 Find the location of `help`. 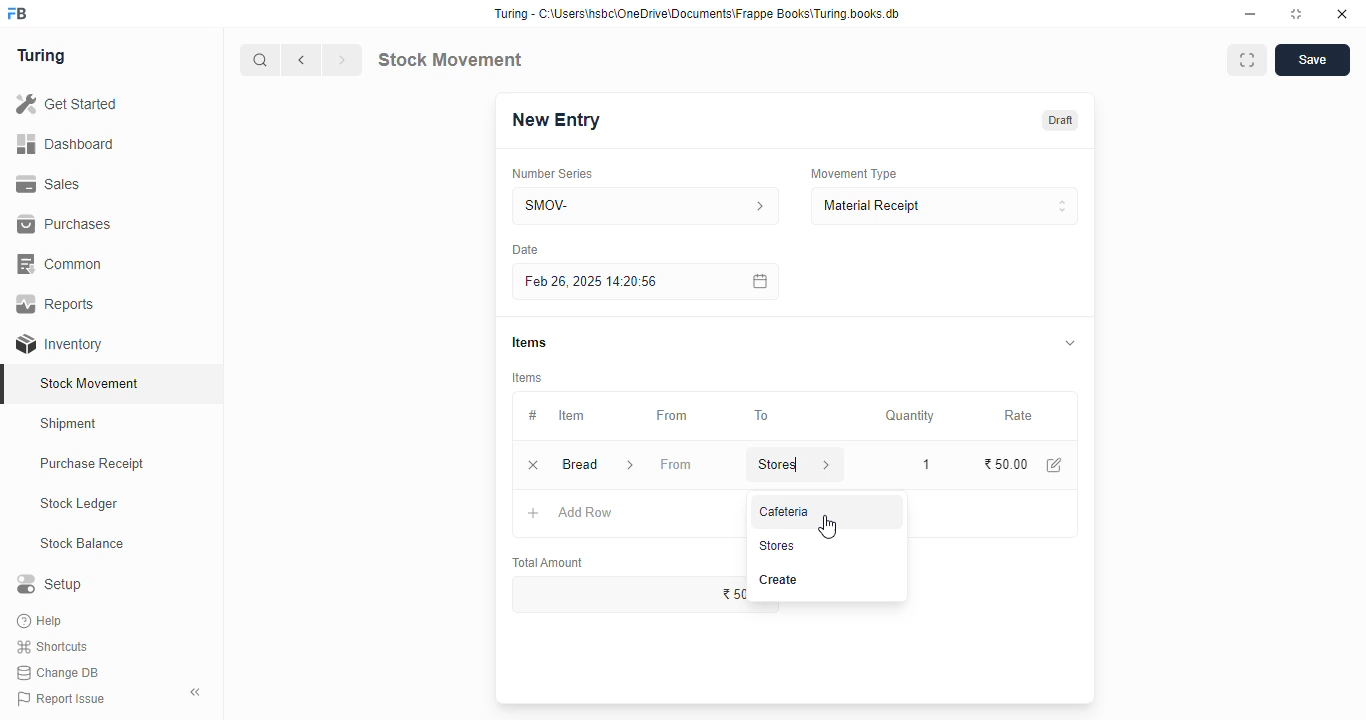

help is located at coordinates (42, 621).